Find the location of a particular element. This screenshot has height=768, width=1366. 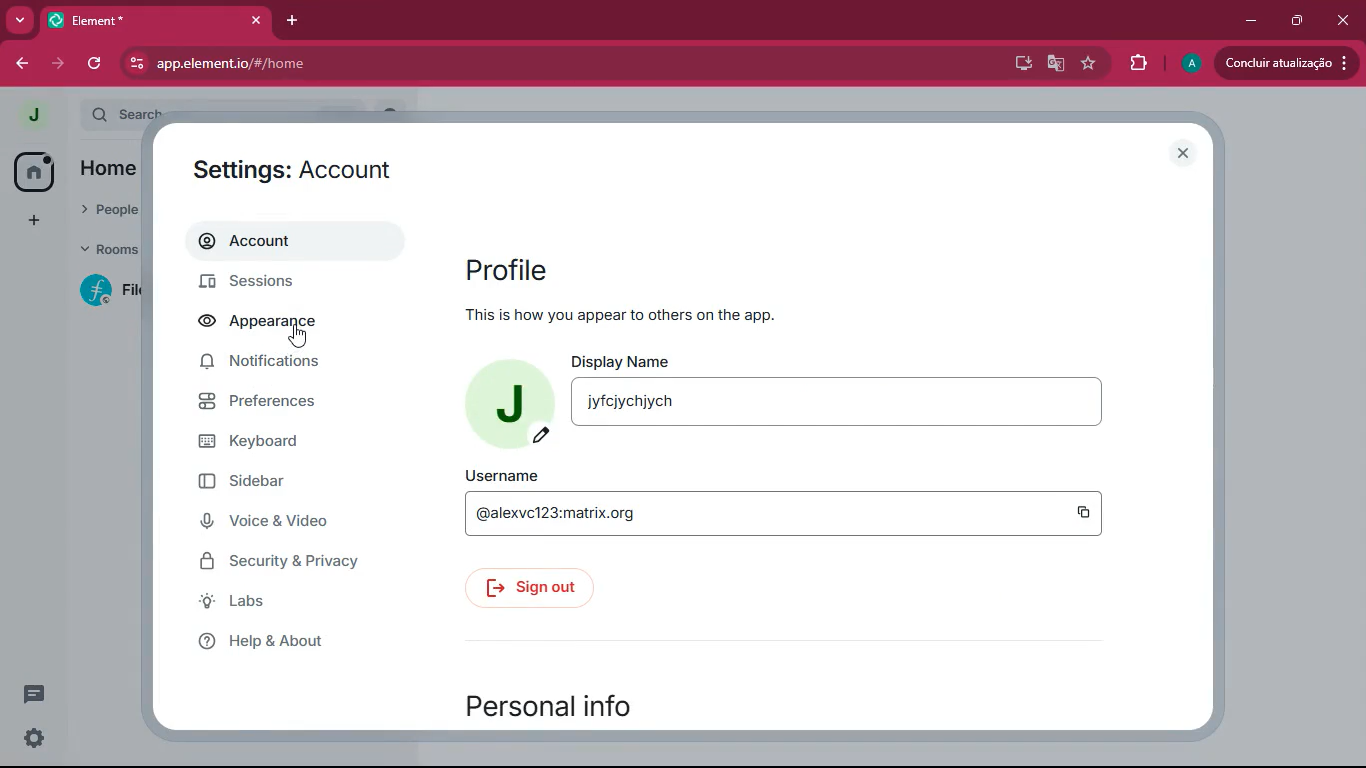

home is located at coordinates (113, 169).